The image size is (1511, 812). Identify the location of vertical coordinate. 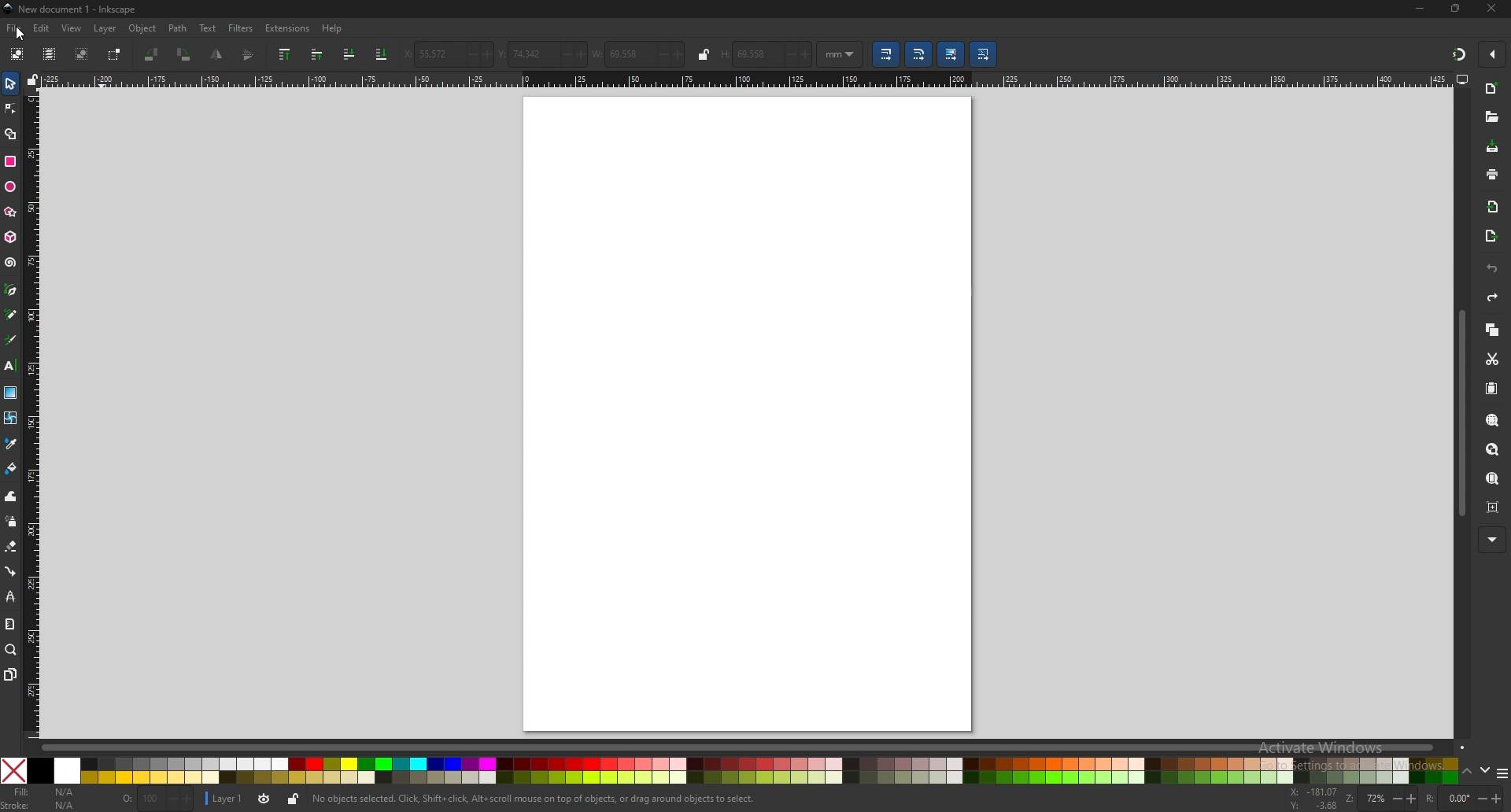
(519, 54).